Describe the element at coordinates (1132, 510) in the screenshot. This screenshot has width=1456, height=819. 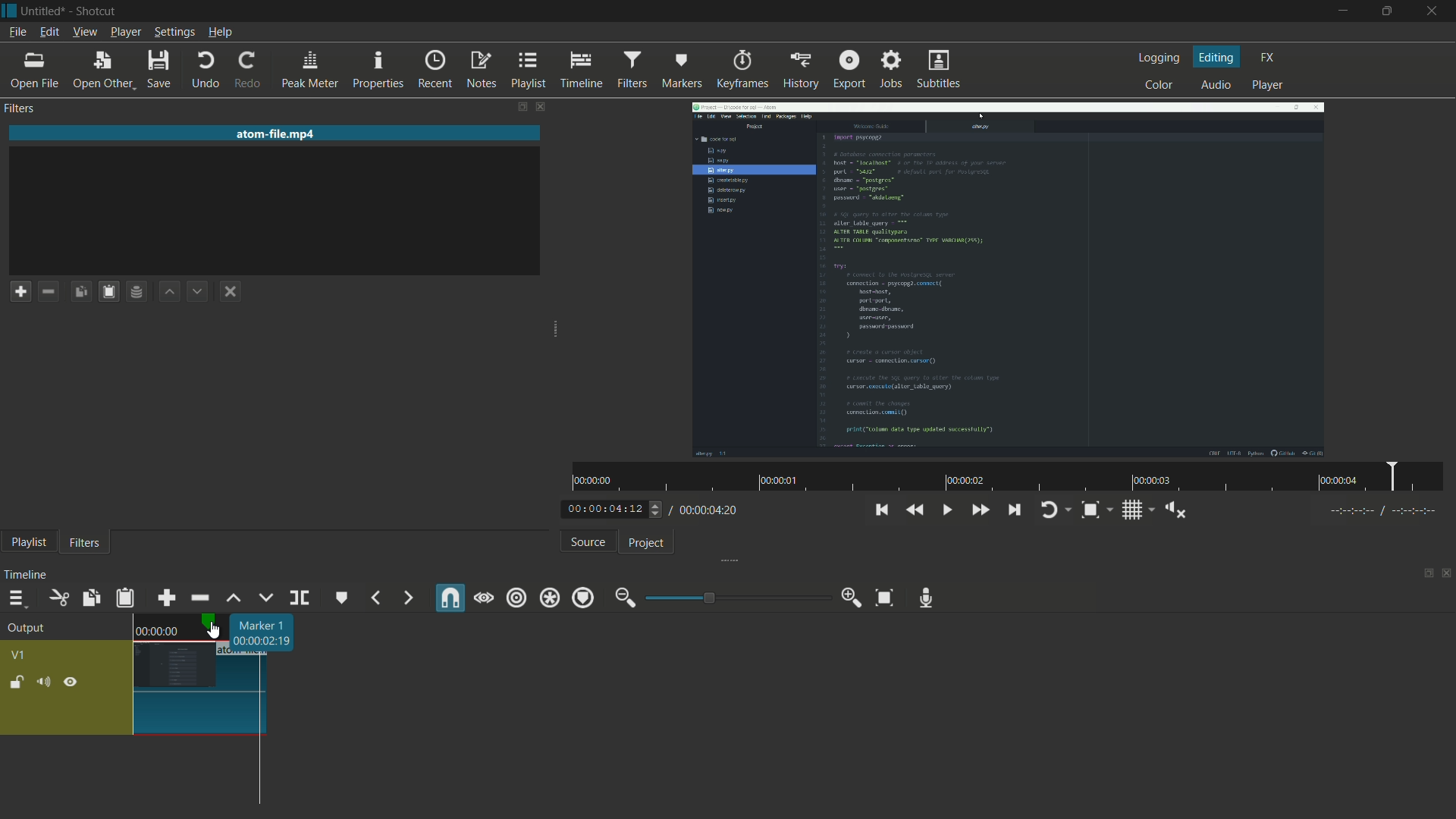
I see `toggle grid` at that location.